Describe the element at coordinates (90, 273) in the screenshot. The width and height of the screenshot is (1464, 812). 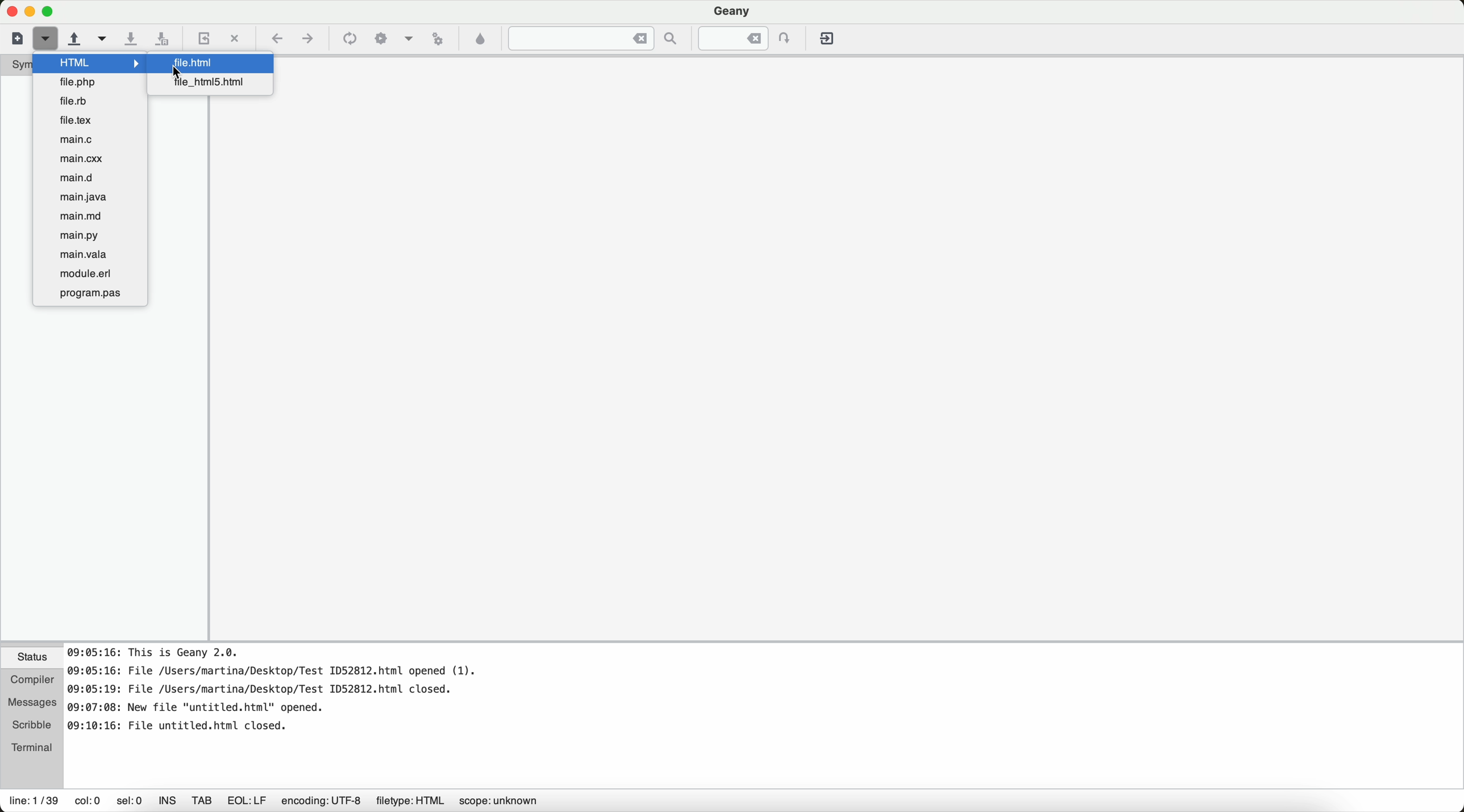
I see `module.erl` at that location.